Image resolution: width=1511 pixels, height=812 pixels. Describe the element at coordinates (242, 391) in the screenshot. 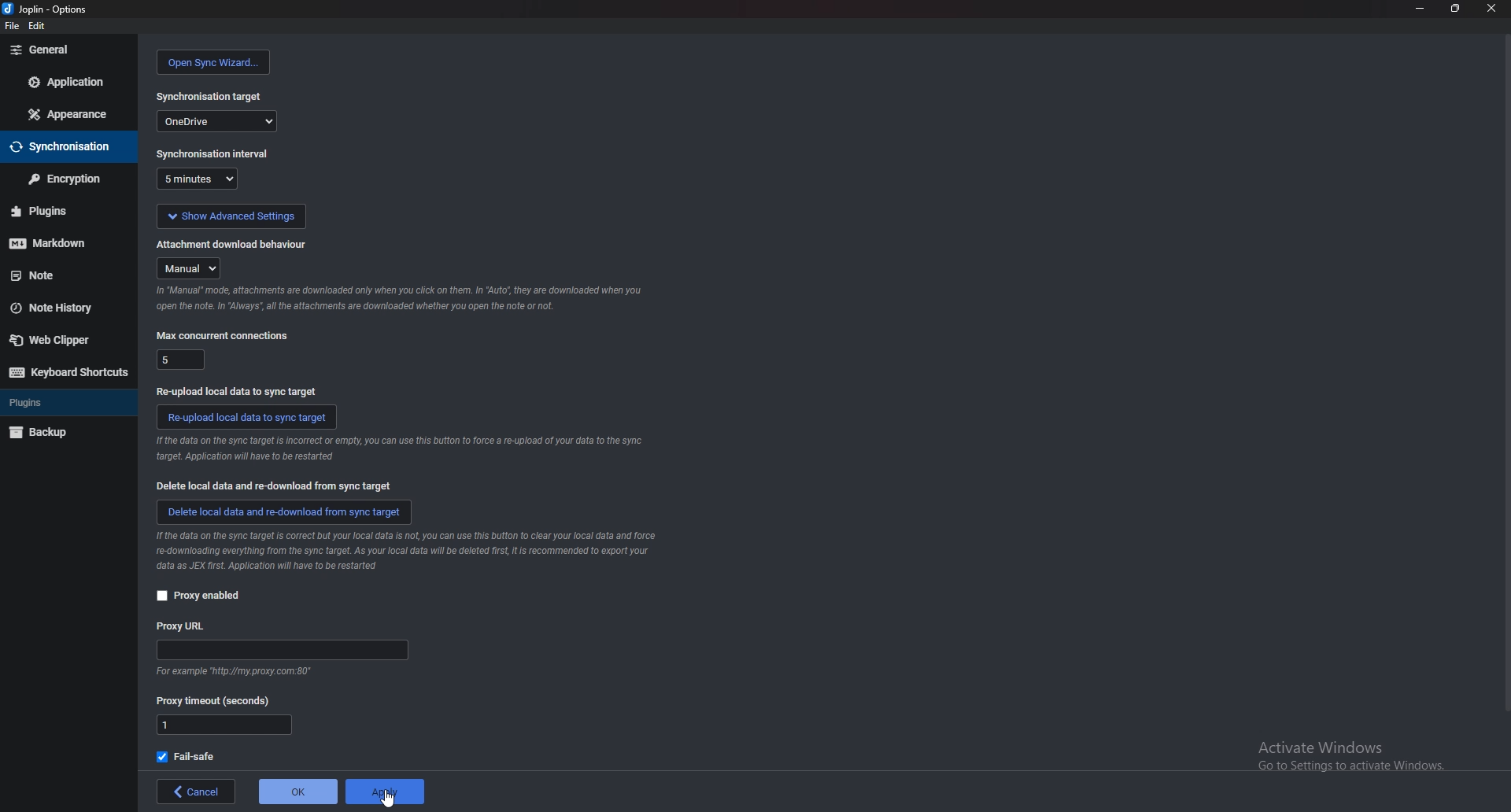

I see `re upload local data to sync target` at that location.